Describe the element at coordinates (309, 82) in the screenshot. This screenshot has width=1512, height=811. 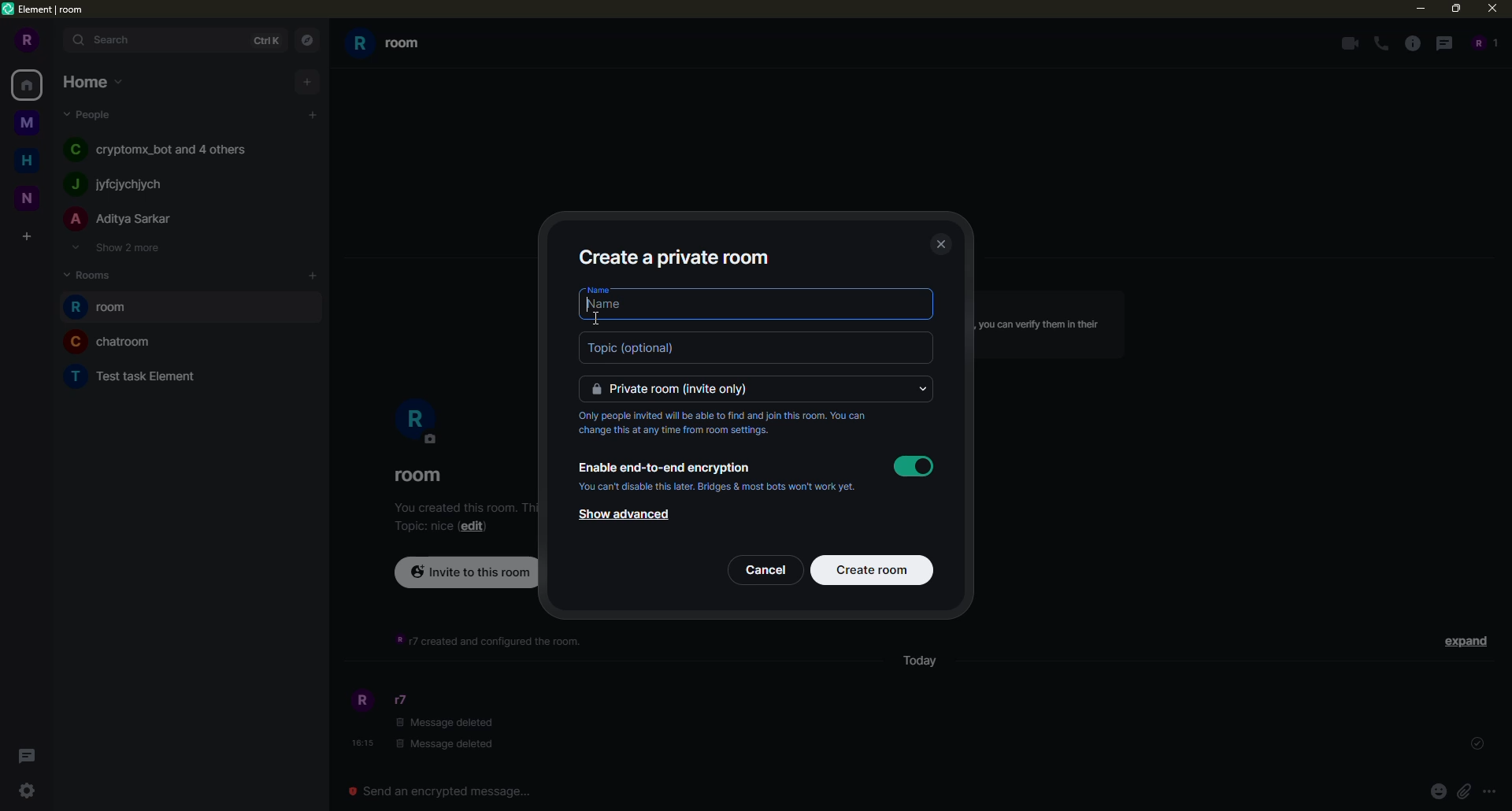
I see `add` at that location.